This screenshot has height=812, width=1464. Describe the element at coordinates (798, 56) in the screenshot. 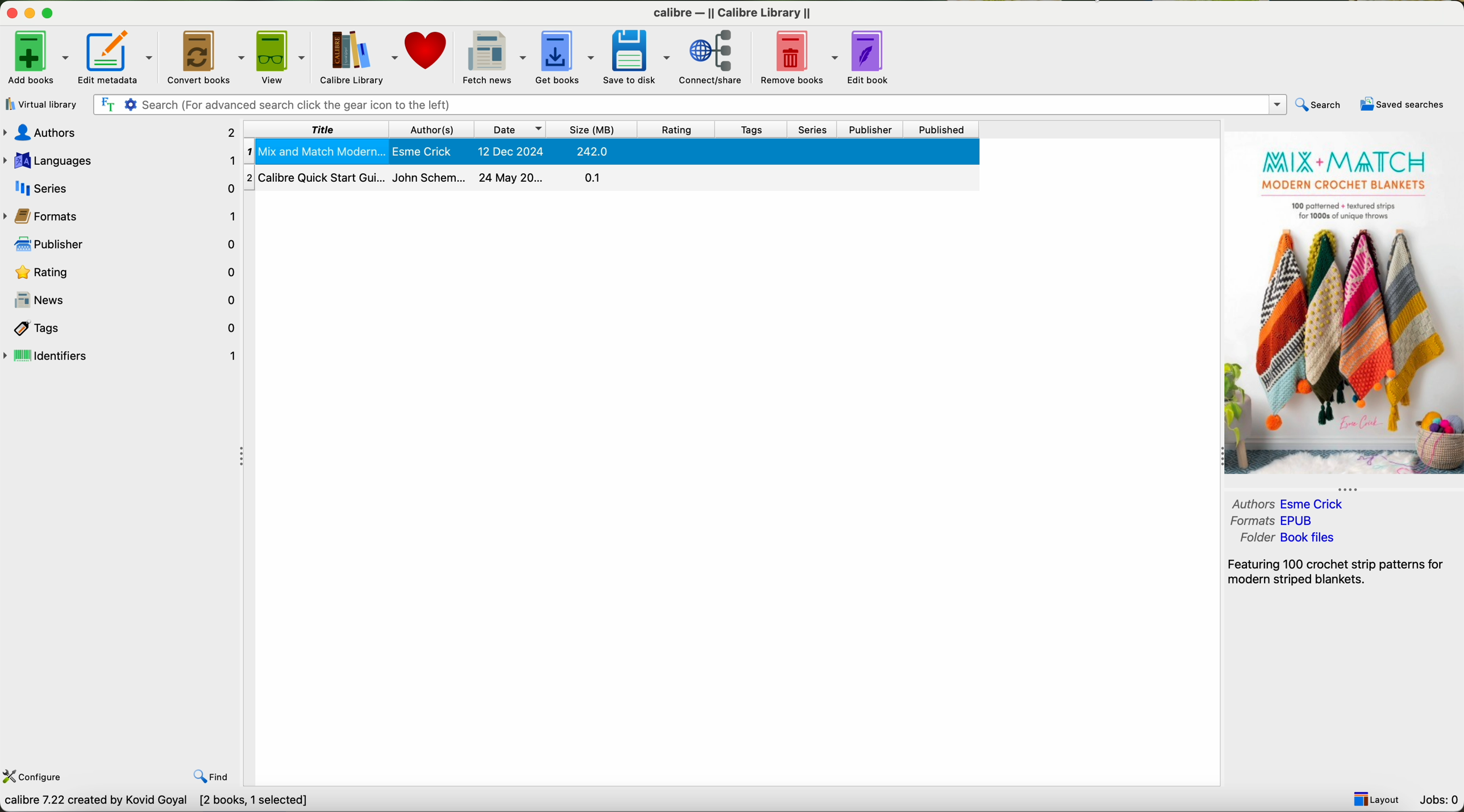

I see `remove books` at that location.